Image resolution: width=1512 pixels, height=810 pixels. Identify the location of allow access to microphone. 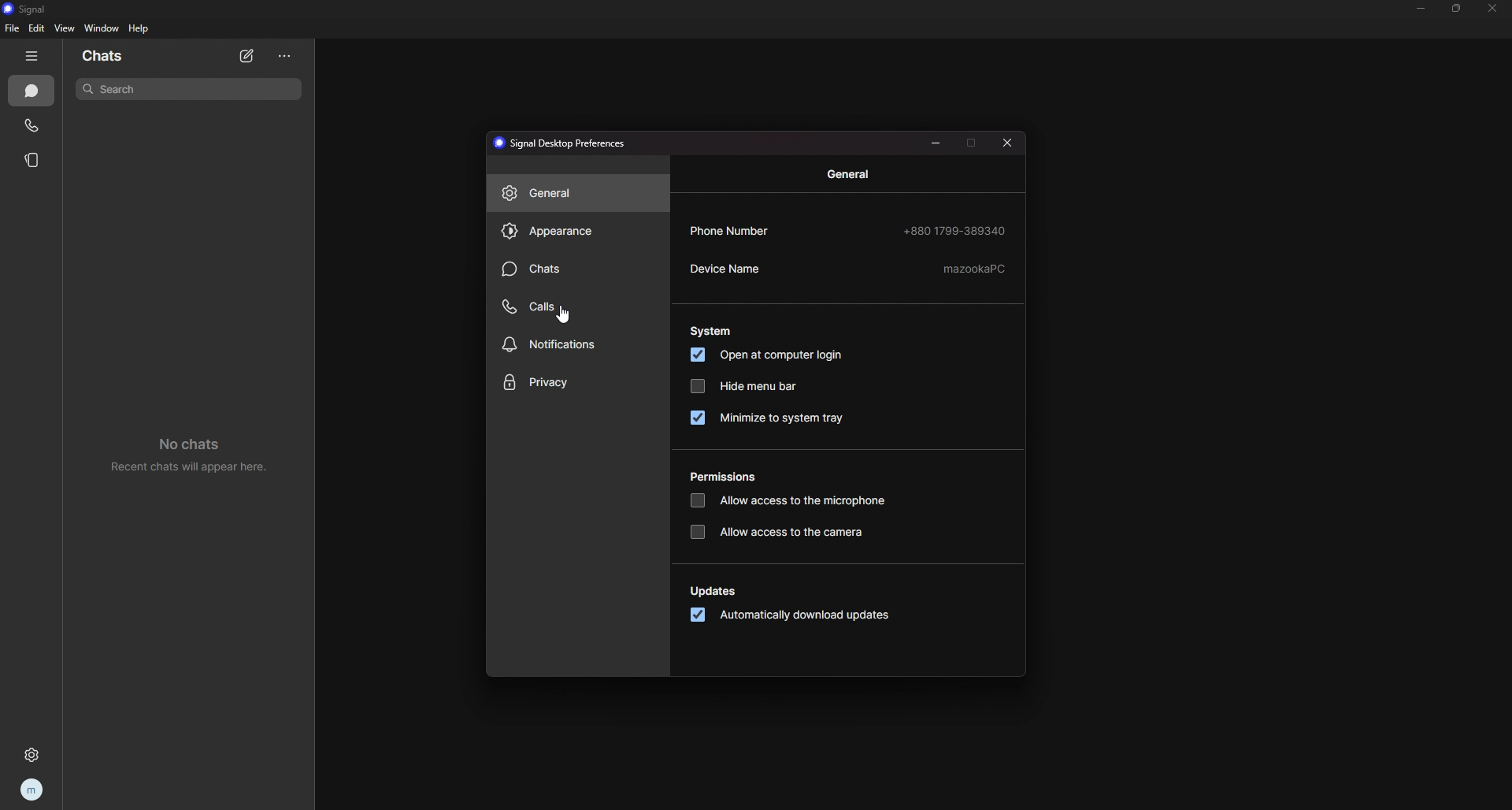
(793, 501).